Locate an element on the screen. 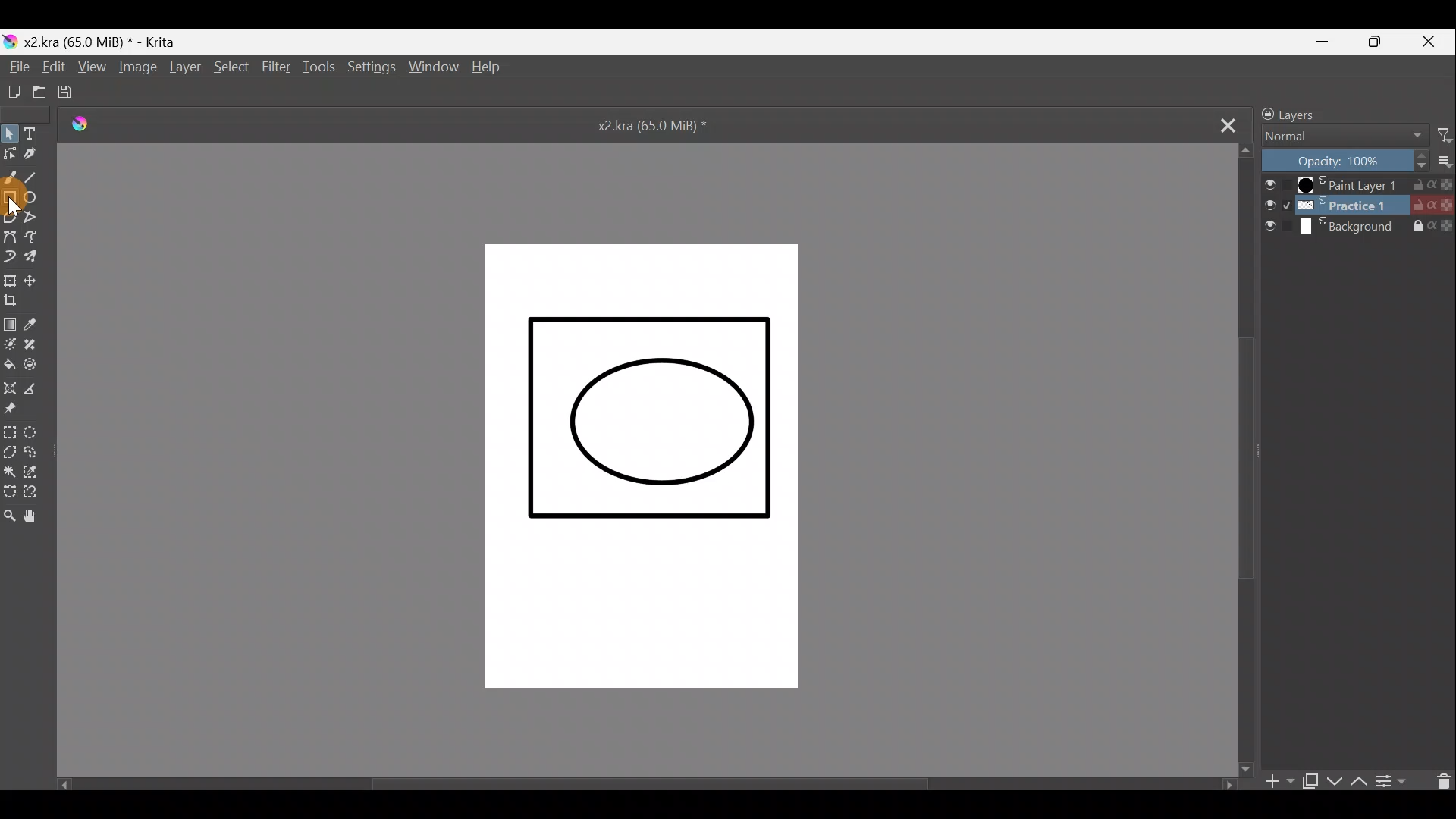 This screenshot has height=819, width=1456. Freehand brush tool is located at coordinates (9, 178).